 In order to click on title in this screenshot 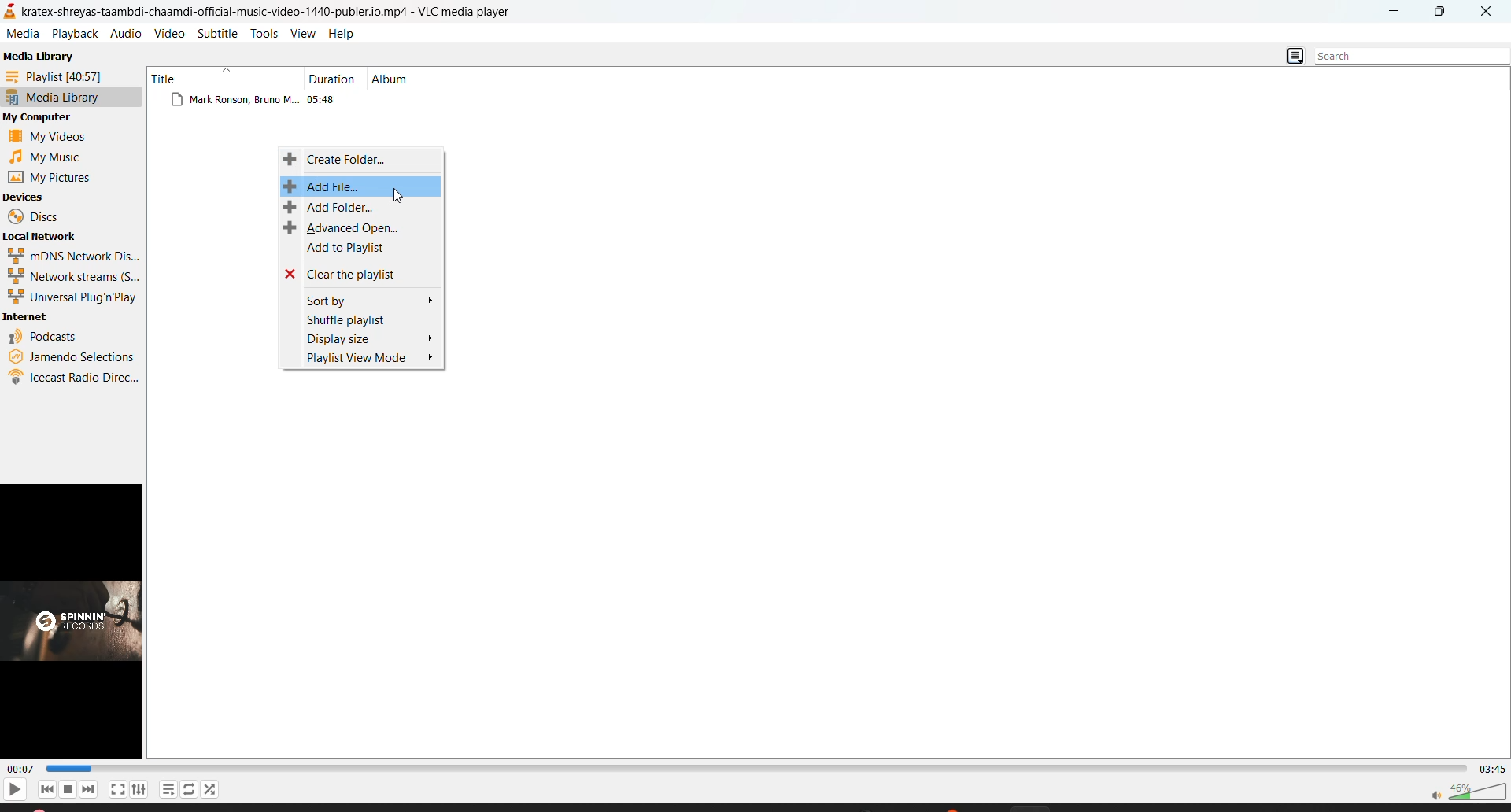, I will do `click(170, 76)`.